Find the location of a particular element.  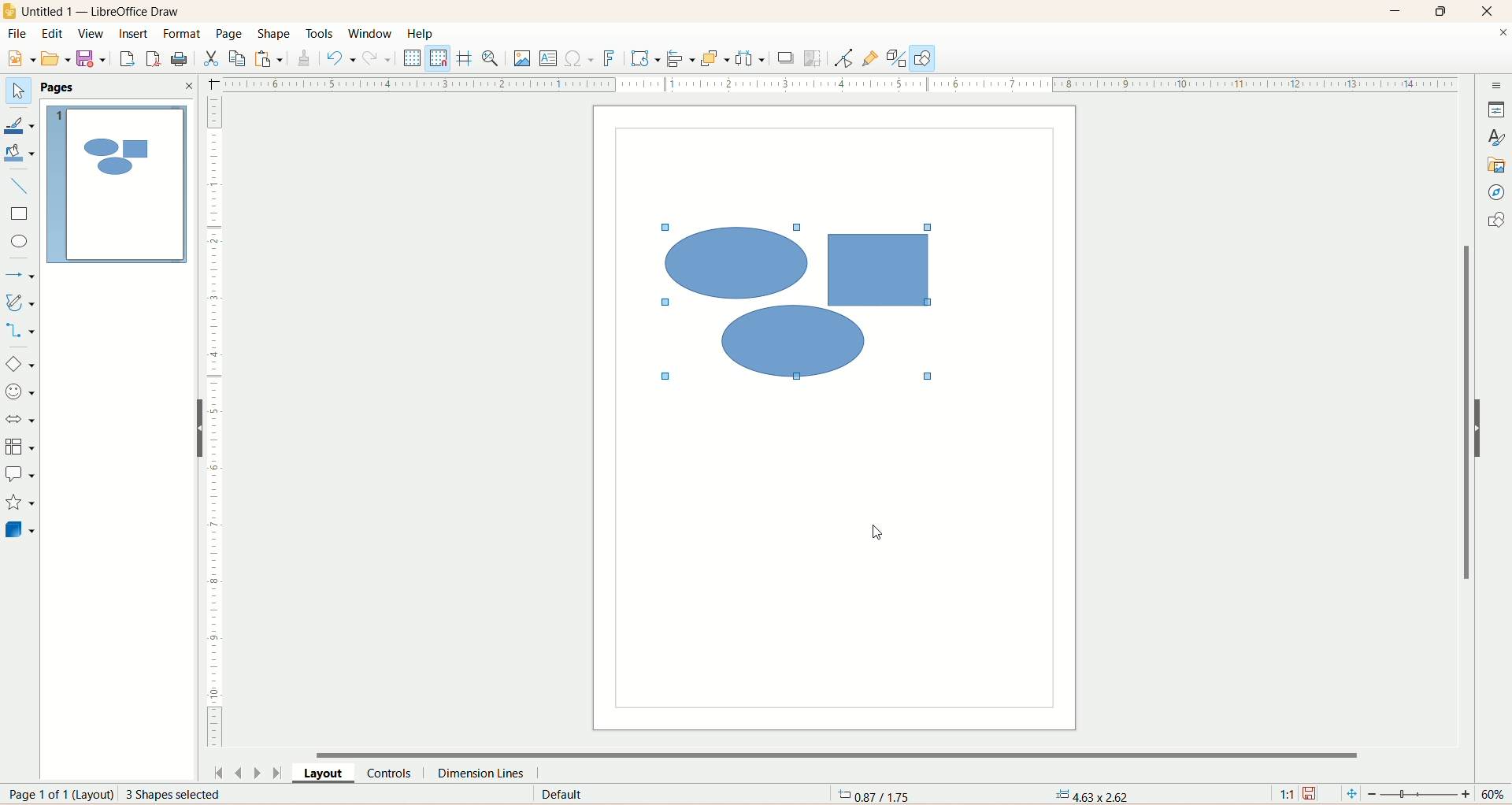

window is located at coordinates (370, 35).